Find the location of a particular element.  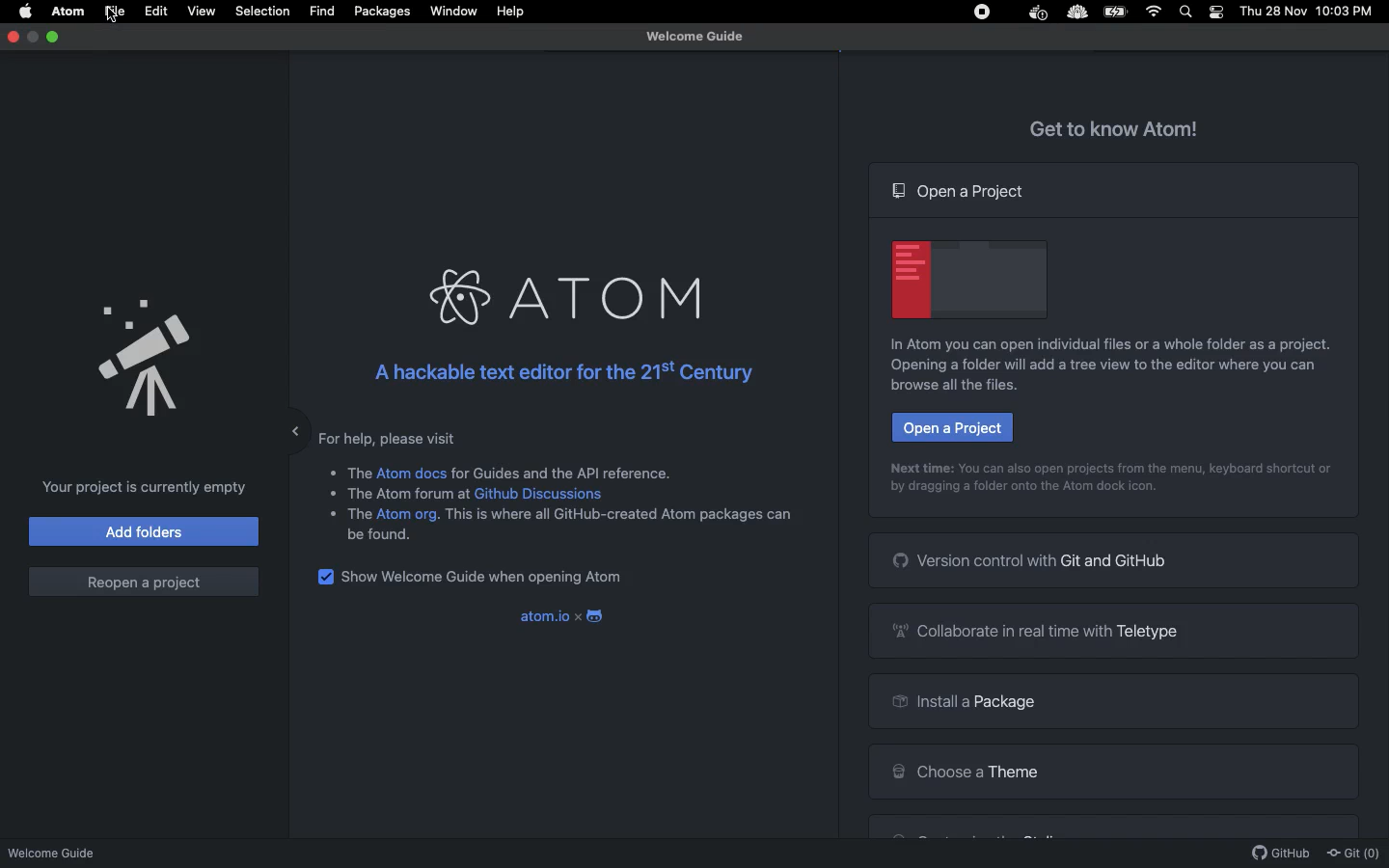

Open a project is located at coordinates (951, 427).